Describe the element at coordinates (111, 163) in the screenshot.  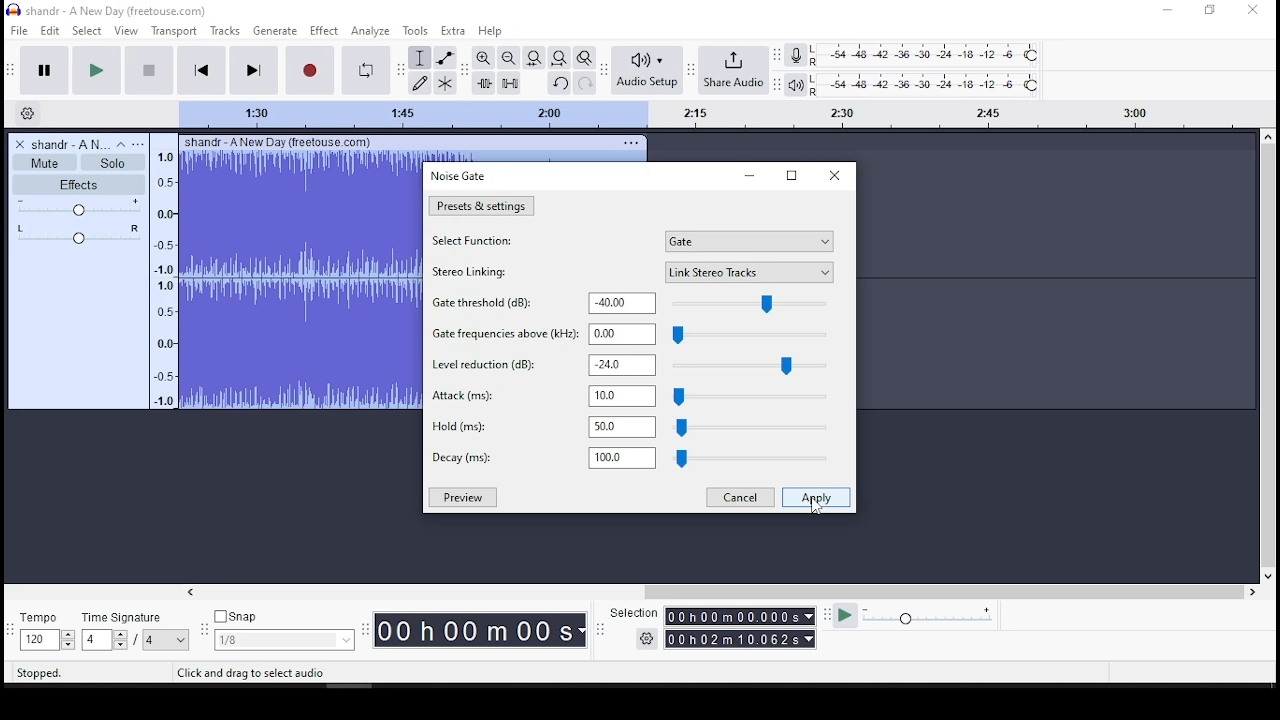
I see `solo` at that location.